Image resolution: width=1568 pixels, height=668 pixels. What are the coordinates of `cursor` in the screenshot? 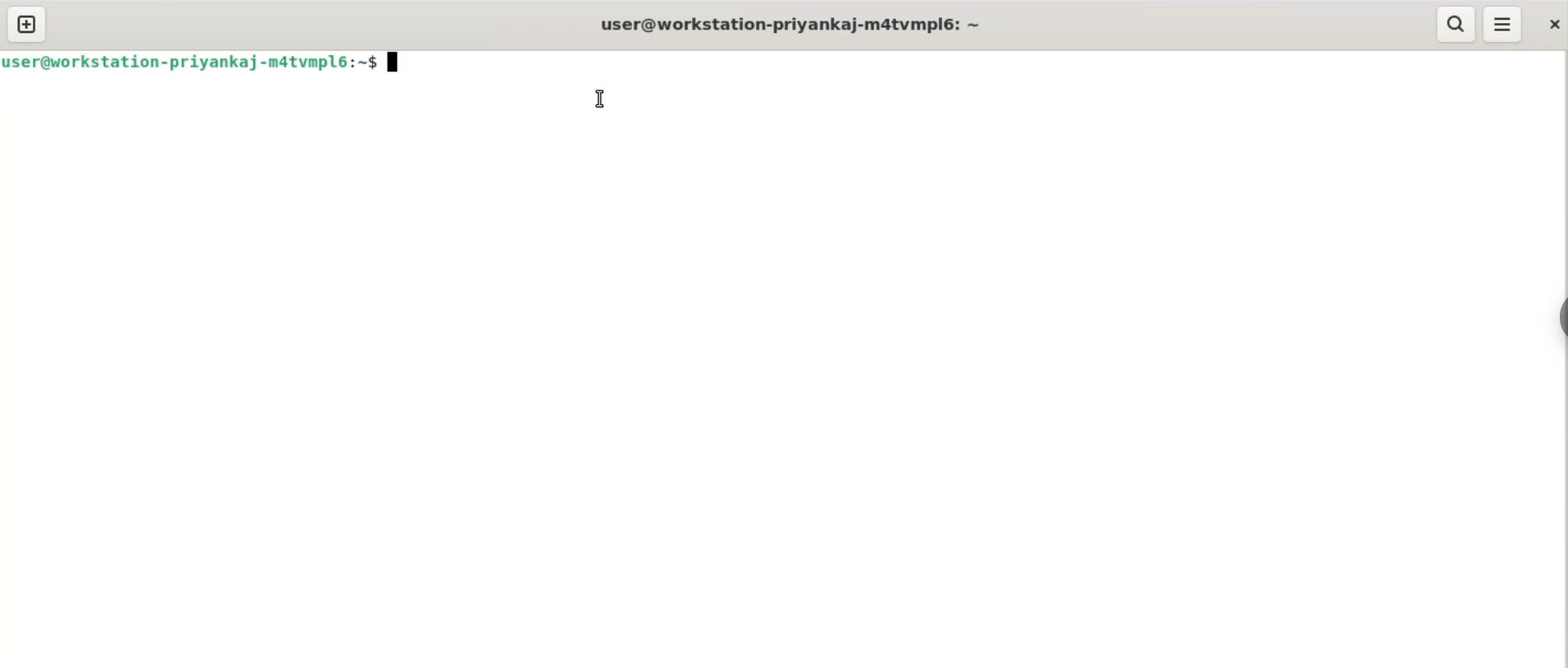 It's located at (598, 98).